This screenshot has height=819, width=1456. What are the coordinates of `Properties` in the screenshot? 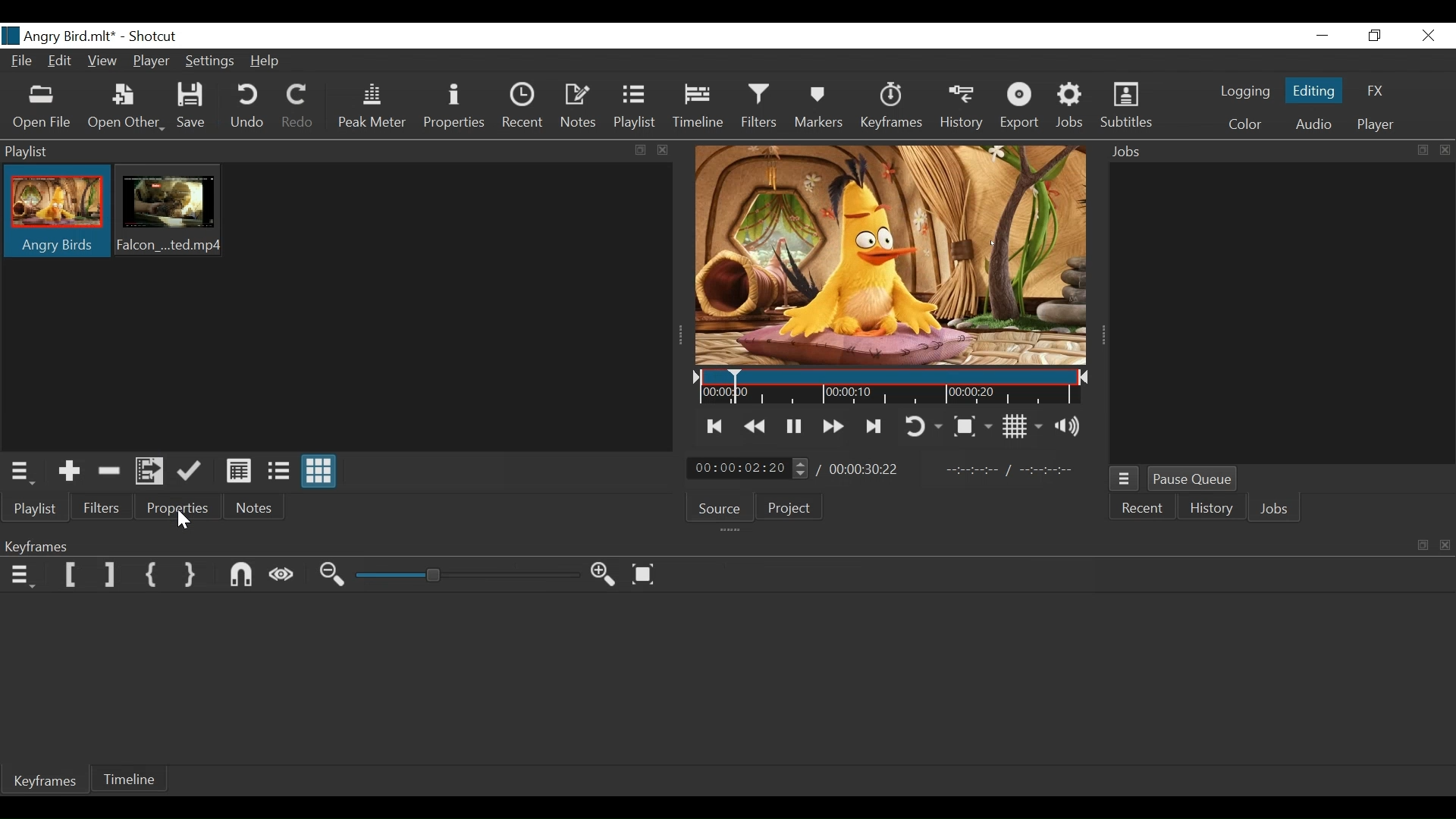 It's located at (171, 507).